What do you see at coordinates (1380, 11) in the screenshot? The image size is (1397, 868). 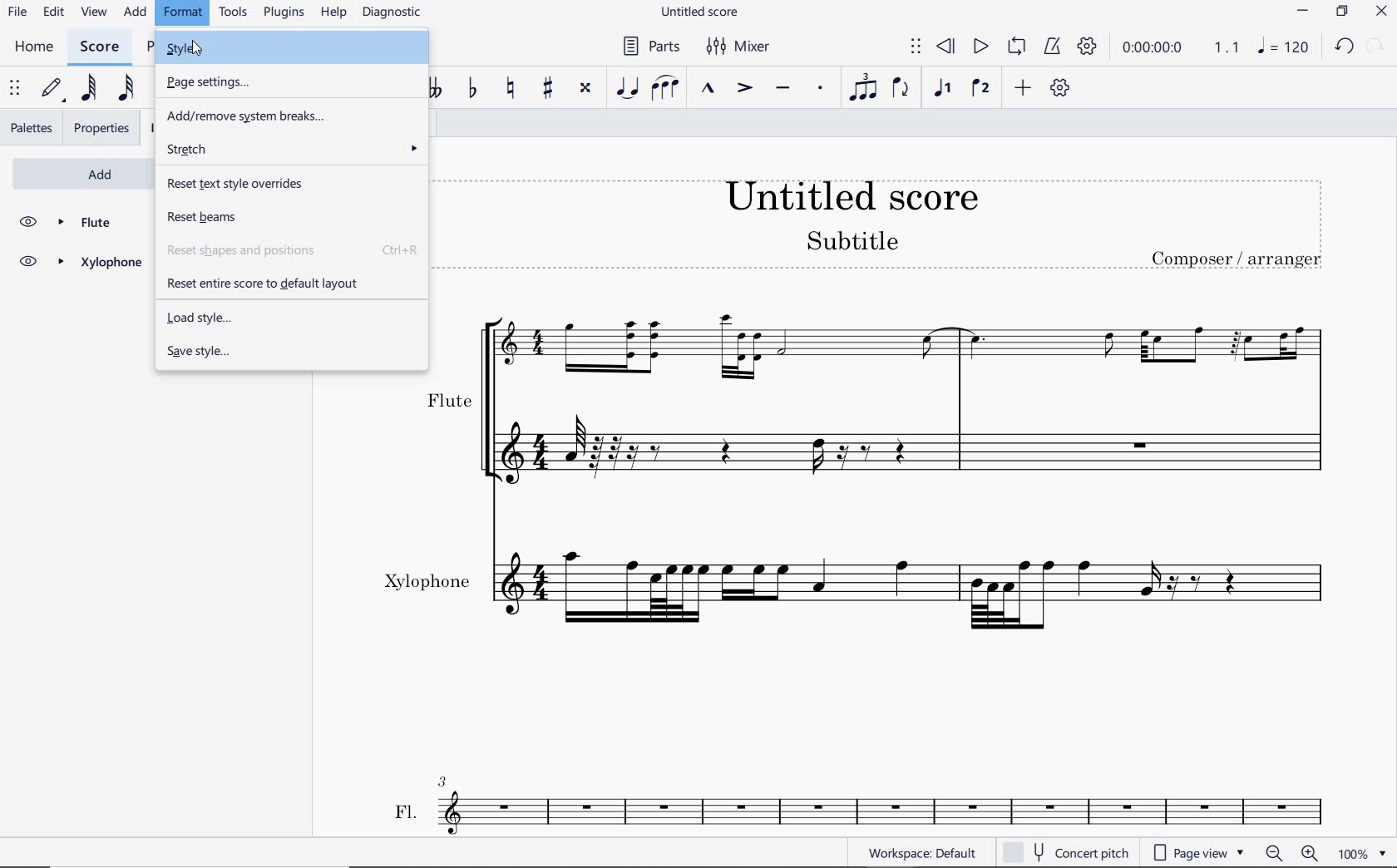 I see `CLOSE` at bounding box center [1380, 11].